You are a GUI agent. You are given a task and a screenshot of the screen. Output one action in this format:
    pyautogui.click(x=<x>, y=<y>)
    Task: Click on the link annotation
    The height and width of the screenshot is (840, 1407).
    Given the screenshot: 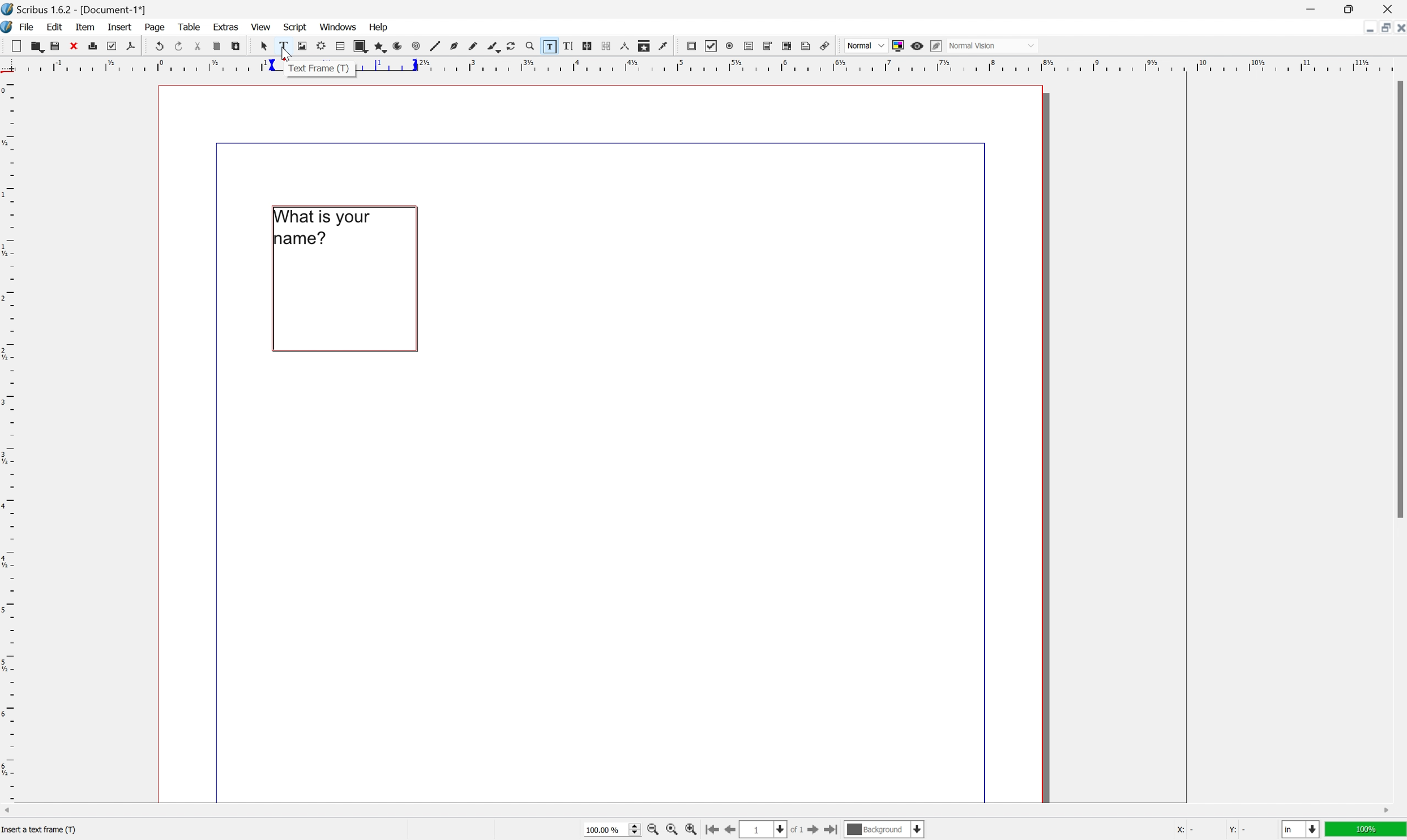 What is the action you would take?
    pyautogui.click(x=826, y=46)
    